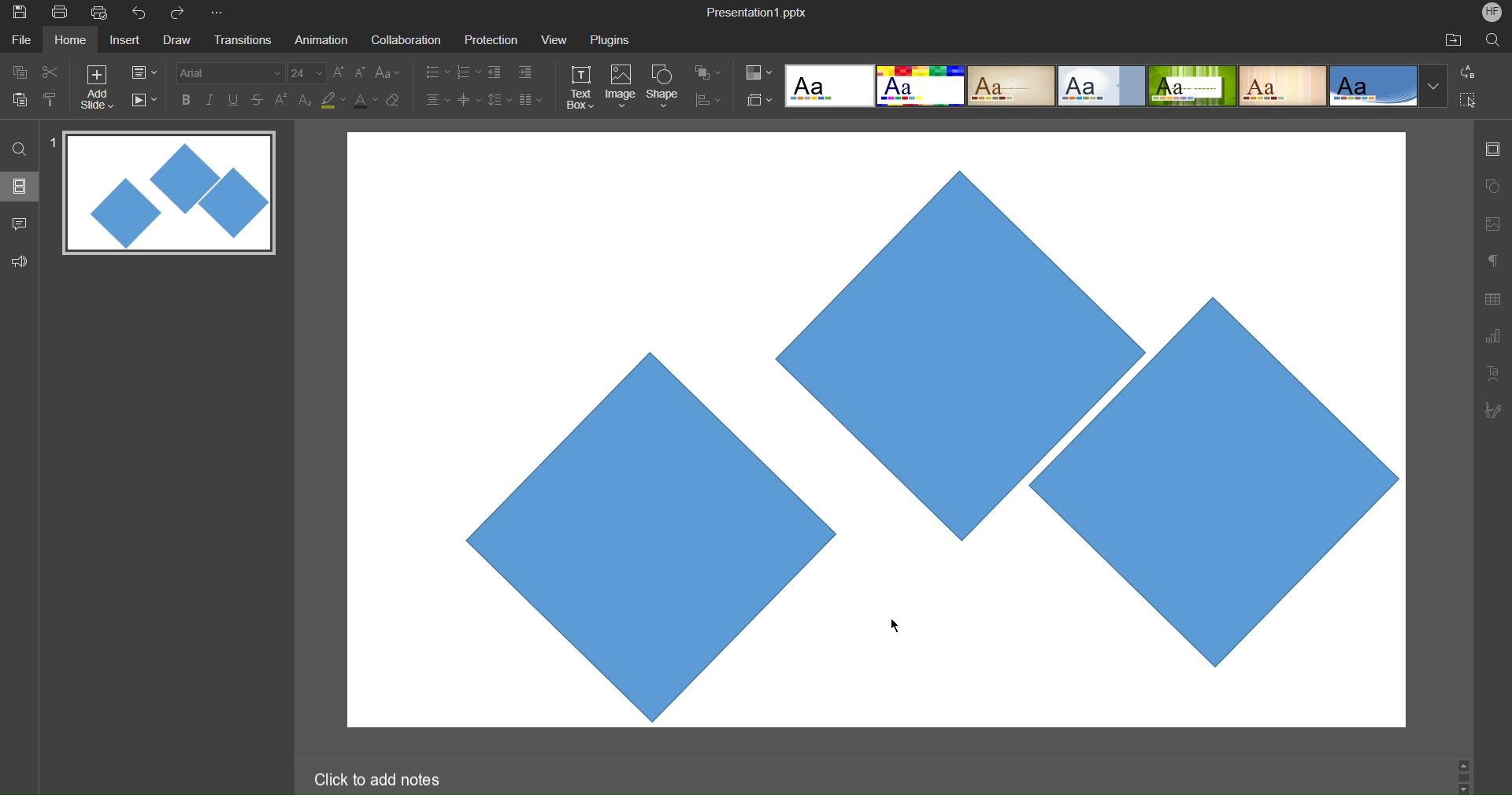  Describe the element at coordinates (18, 13) in the screenshot. I see `Save` at that location.